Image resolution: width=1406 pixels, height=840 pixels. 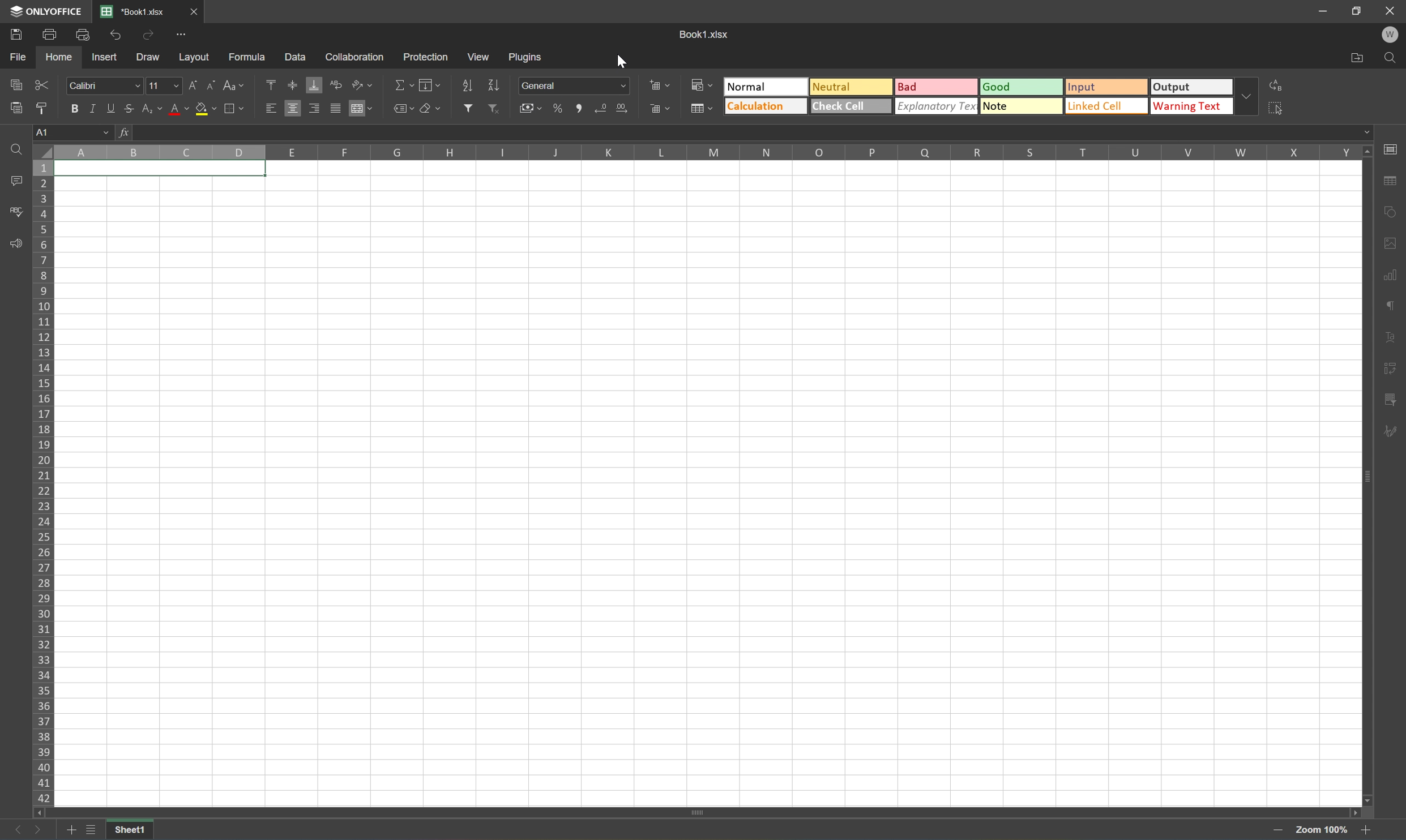 What do you see at coordinates (1364, 477) in the screenshot?
I see `Scroll bar` at bounding box center [1364, 477].